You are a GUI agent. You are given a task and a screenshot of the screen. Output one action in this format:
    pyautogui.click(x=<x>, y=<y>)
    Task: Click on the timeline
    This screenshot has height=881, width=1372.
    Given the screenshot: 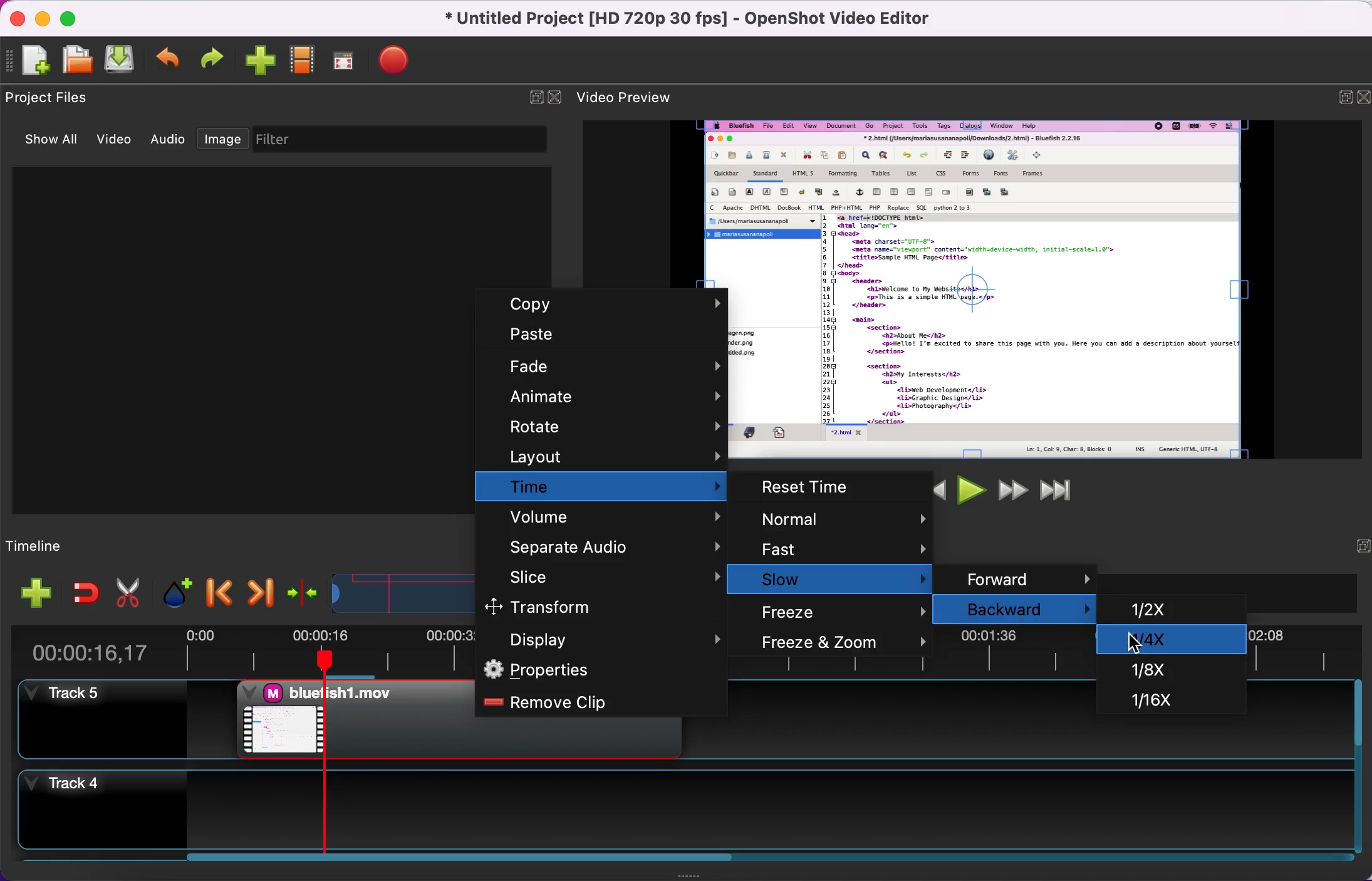 What is the action you would take?
    pyautogui.click(x=71, y=543)
    